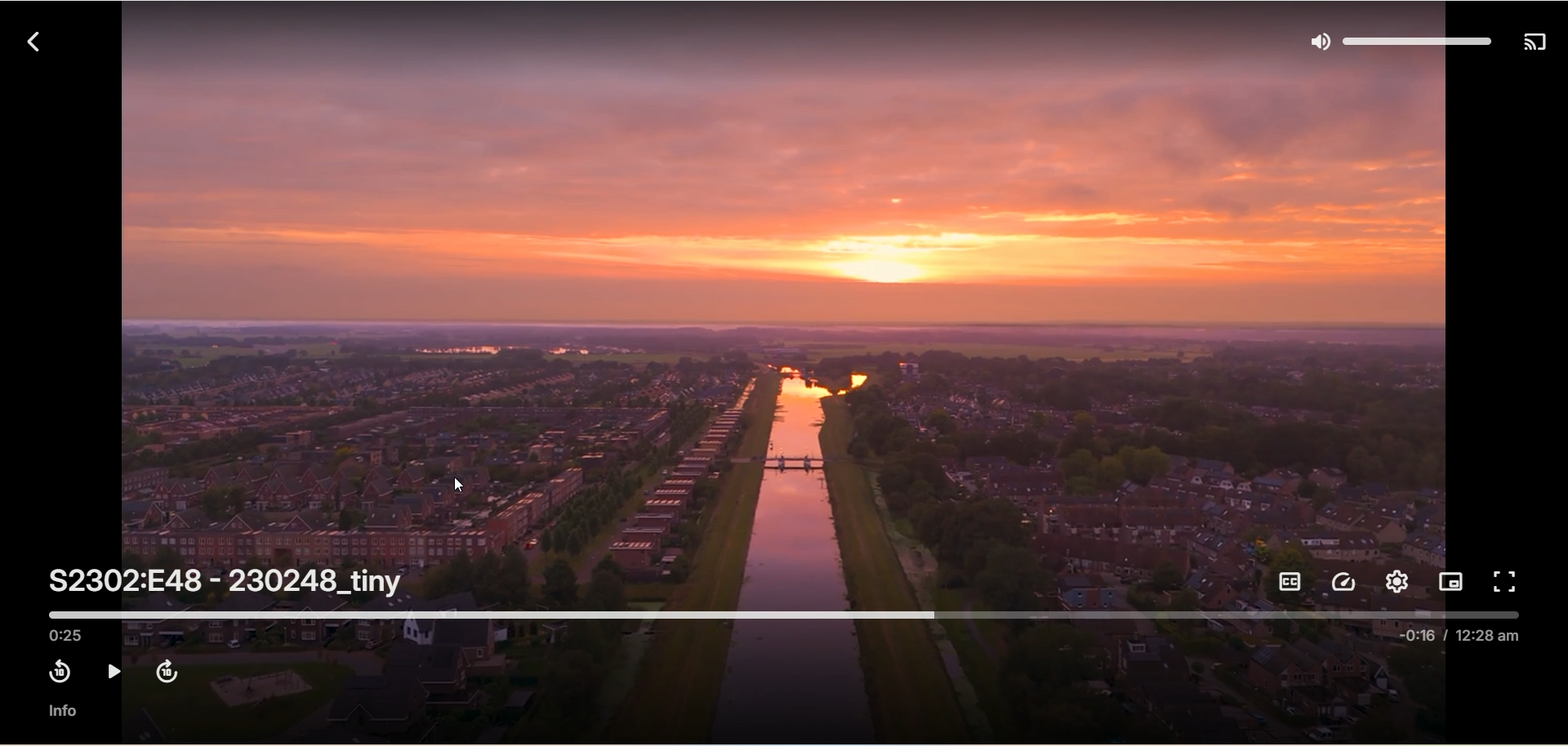 This screenshot has height=746, width=1568. What do you see at coordinates (787, 612) in the screenshot?
I see `timeline` at bounding box center [787, 612].